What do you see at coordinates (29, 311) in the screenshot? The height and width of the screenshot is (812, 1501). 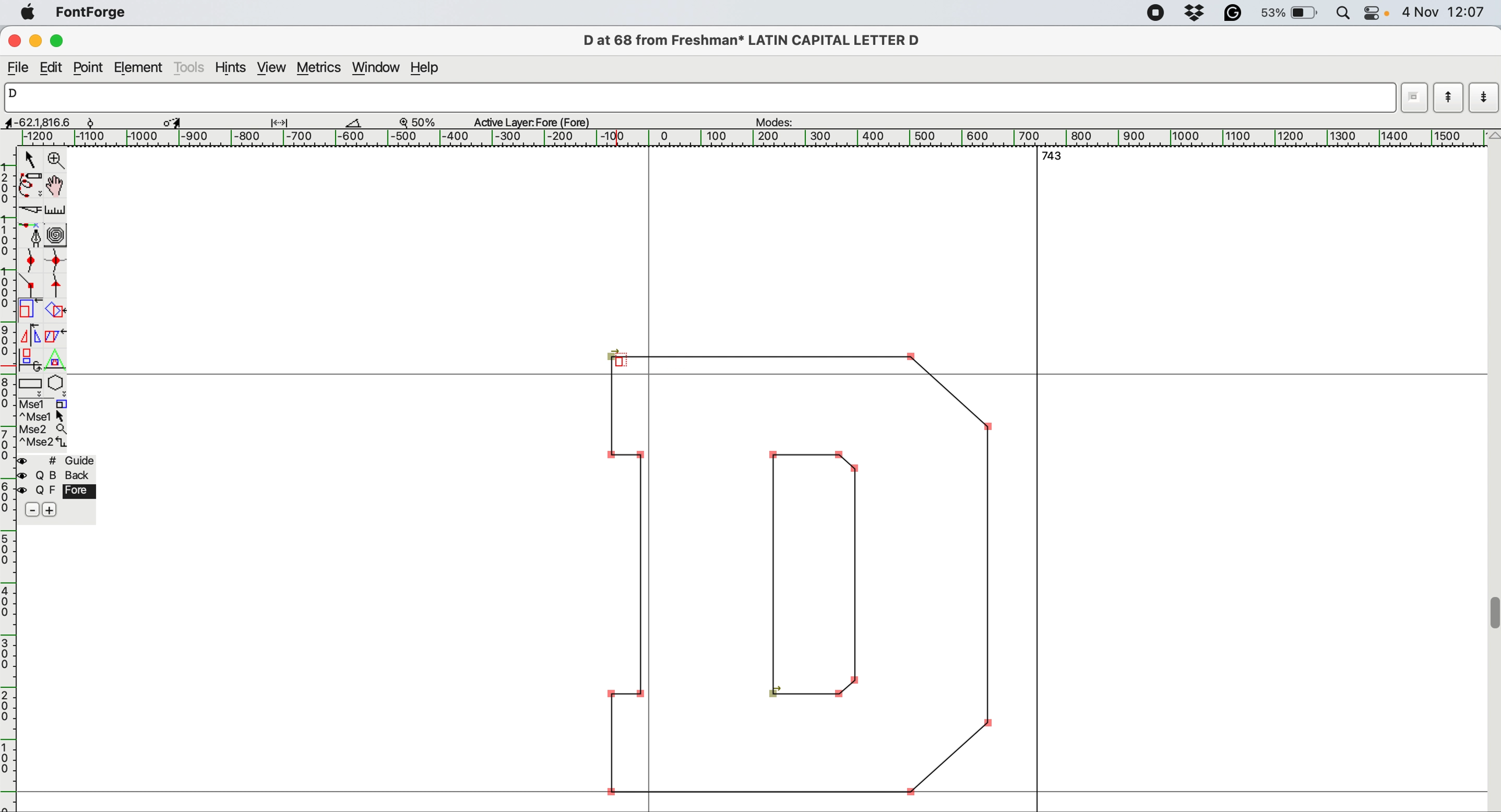 I see `scale the selection` at bounding box center [29, 311].